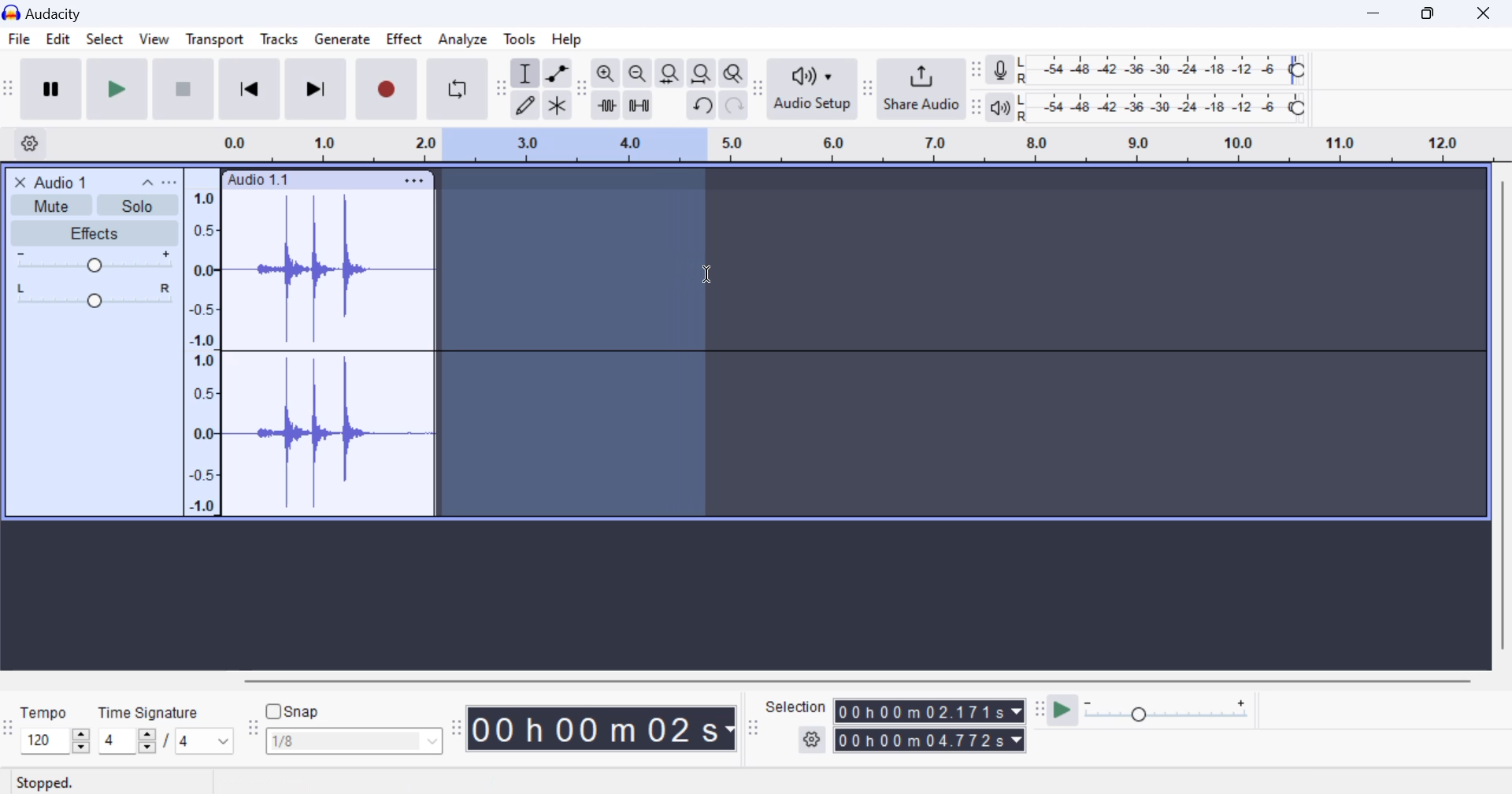 The image size is (1512, 794). Describe the element at coordinates (796, 707) in the screenshot. I see `Selection` at that location.